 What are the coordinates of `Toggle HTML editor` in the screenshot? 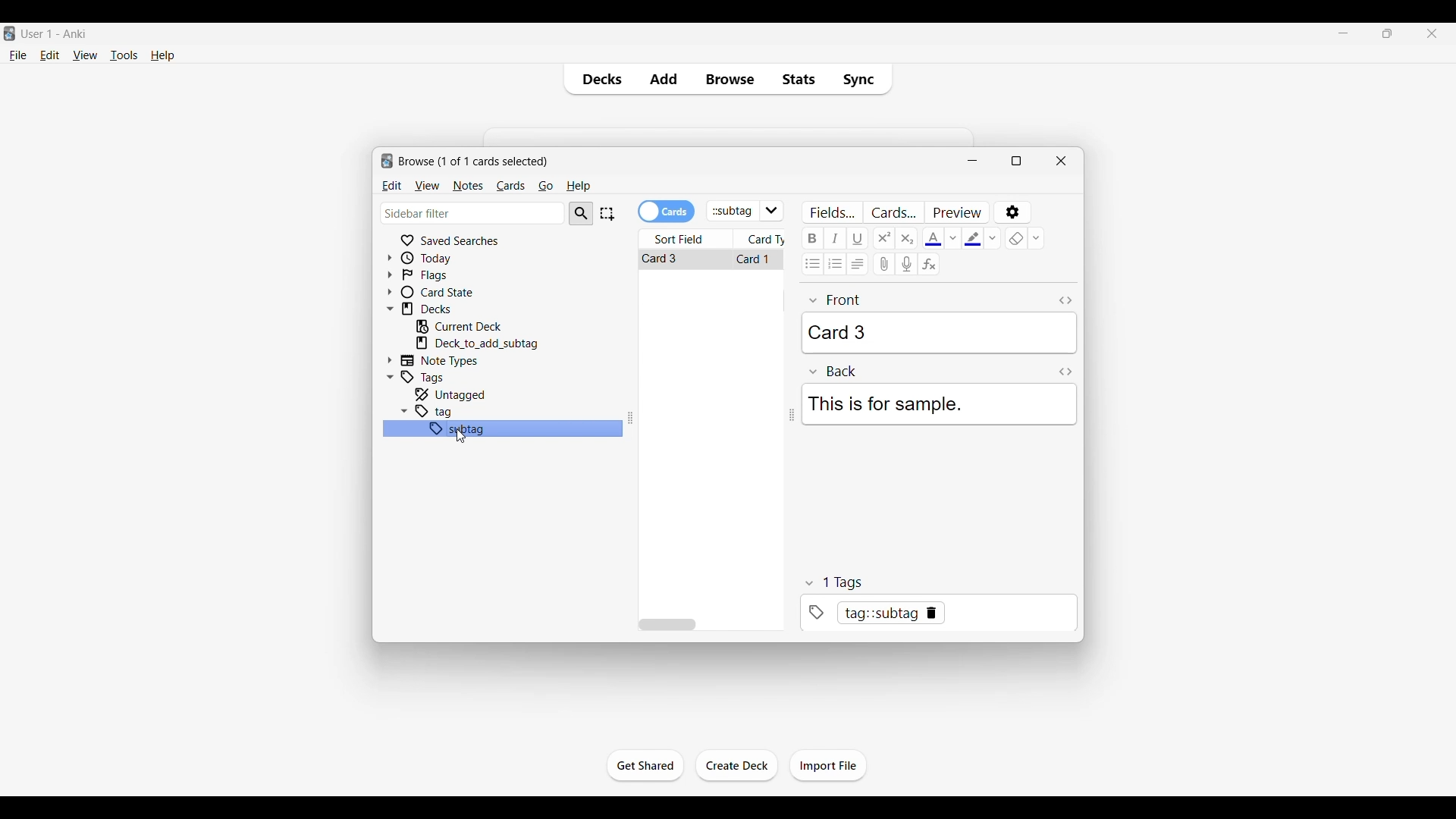 It's located at (1065, 372).